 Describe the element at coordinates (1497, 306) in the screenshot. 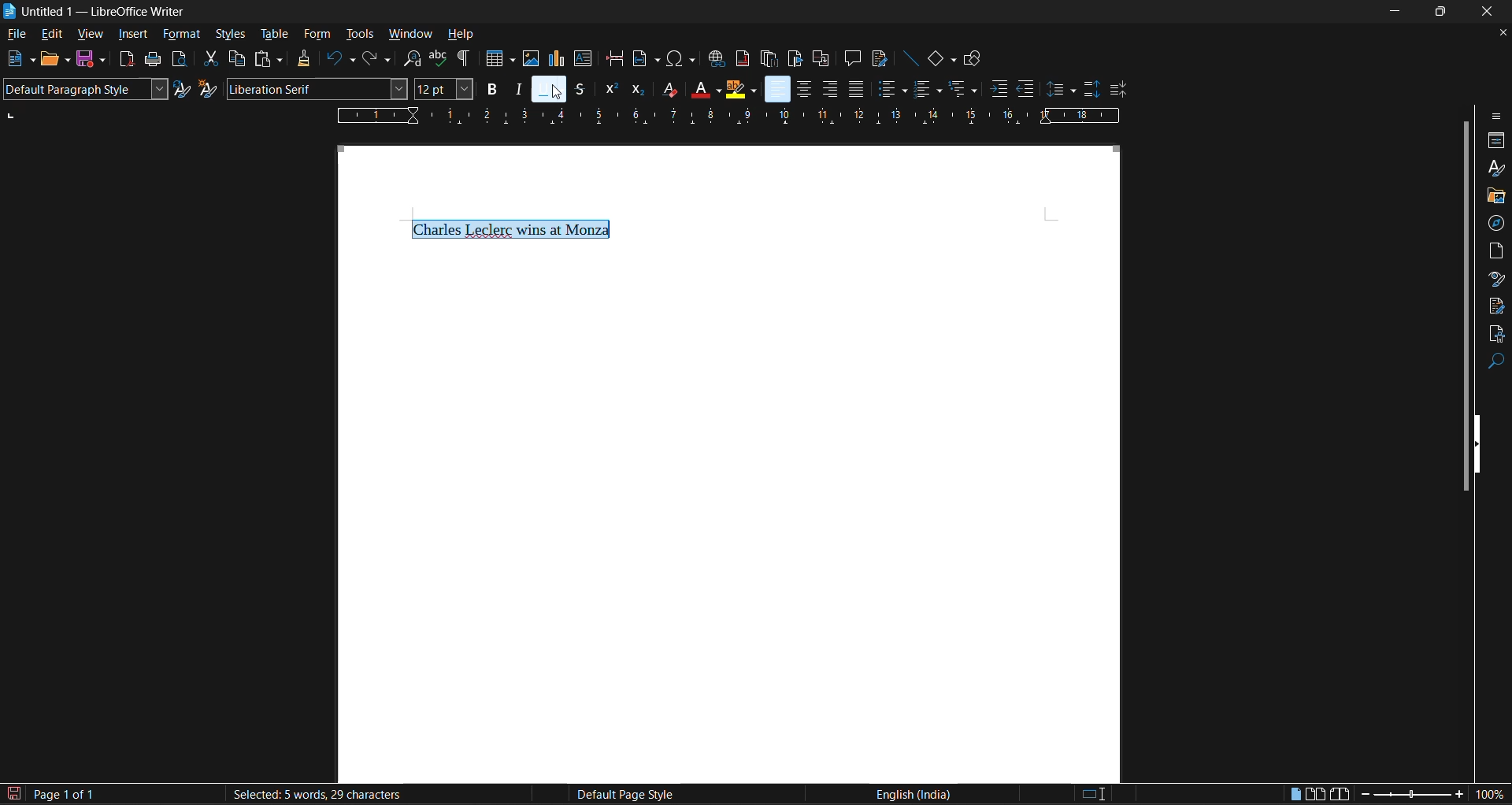

I see `manage changes` at that location.